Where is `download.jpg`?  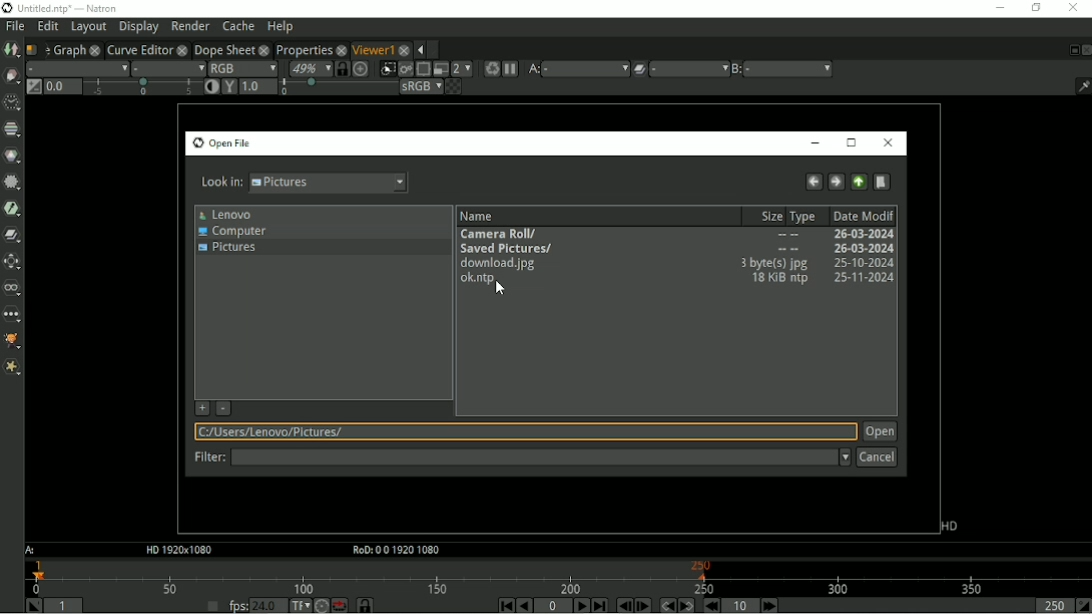
download.jpg is located at coordinates (678, 264).